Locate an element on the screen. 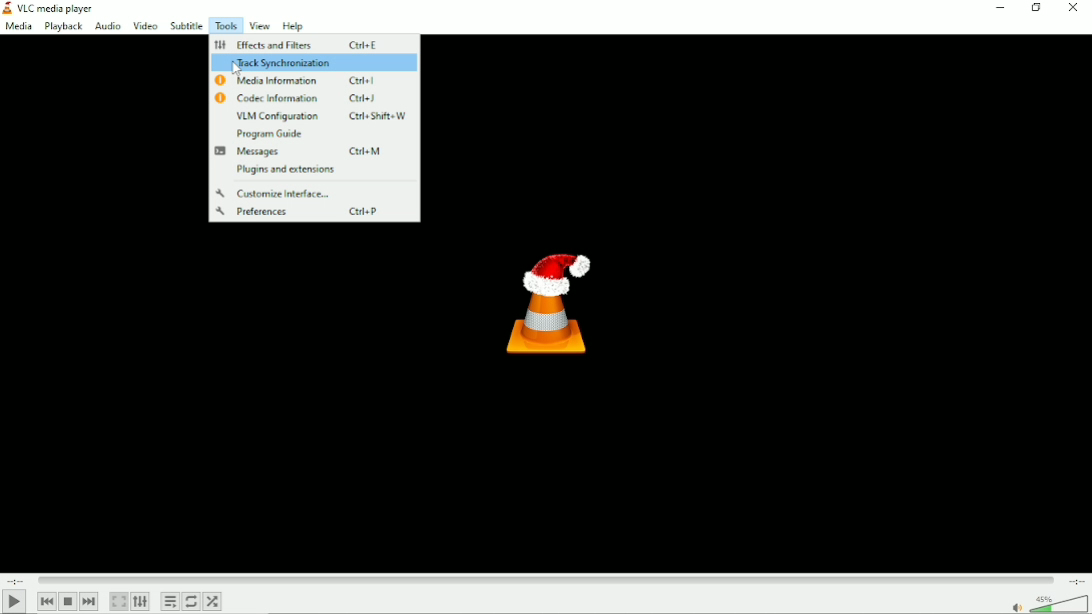  Next is located at coordinates (90, 601).